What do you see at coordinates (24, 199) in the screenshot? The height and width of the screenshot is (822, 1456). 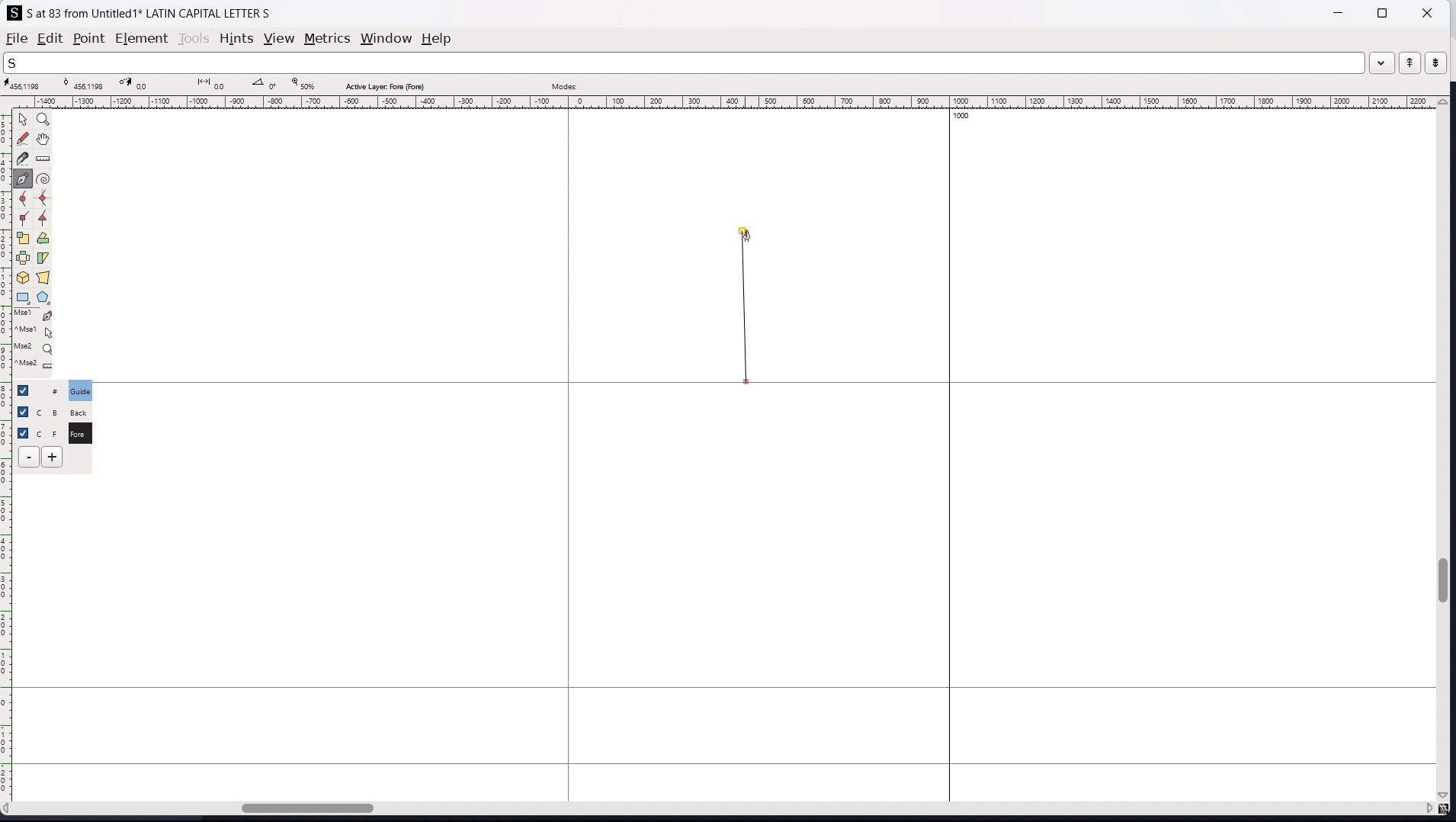 I see `add a curve point` at bounding box center [24, 199].